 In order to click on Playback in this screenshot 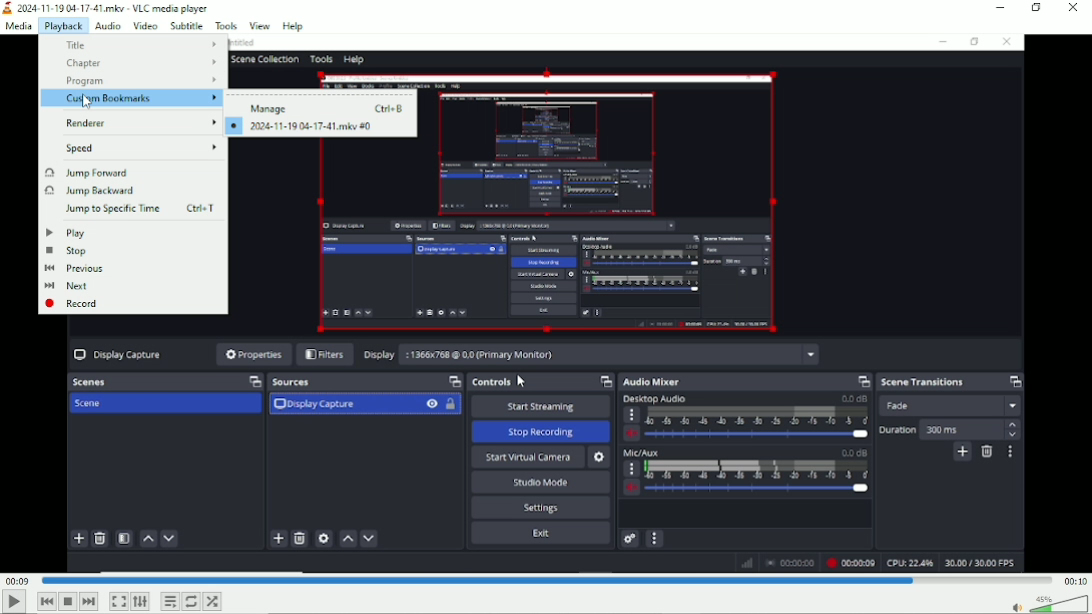, I will do `click(62, 26)`.